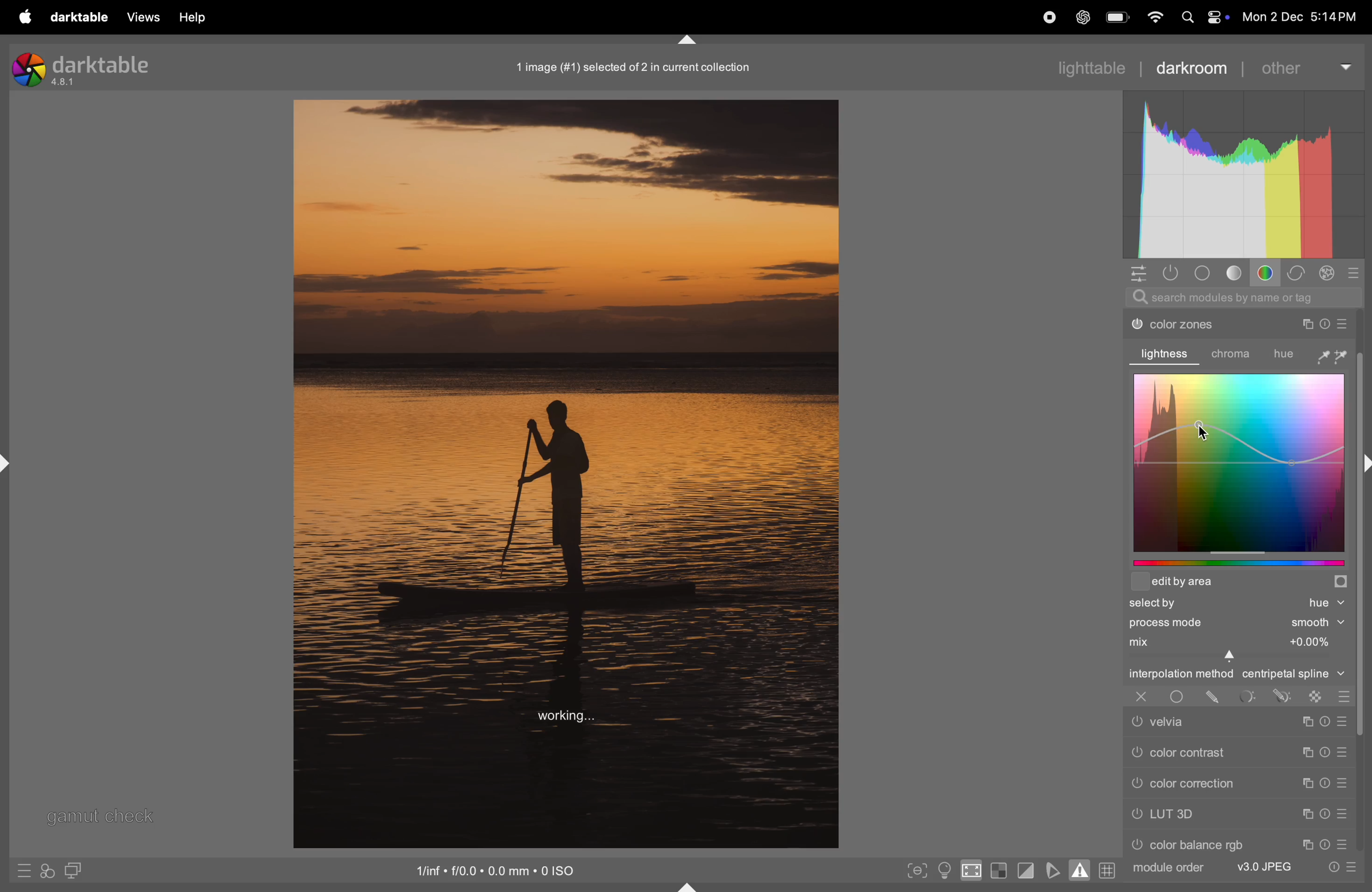  Describe the element at coordinates (1234, 272) in the screenshot. I see `` at that location.